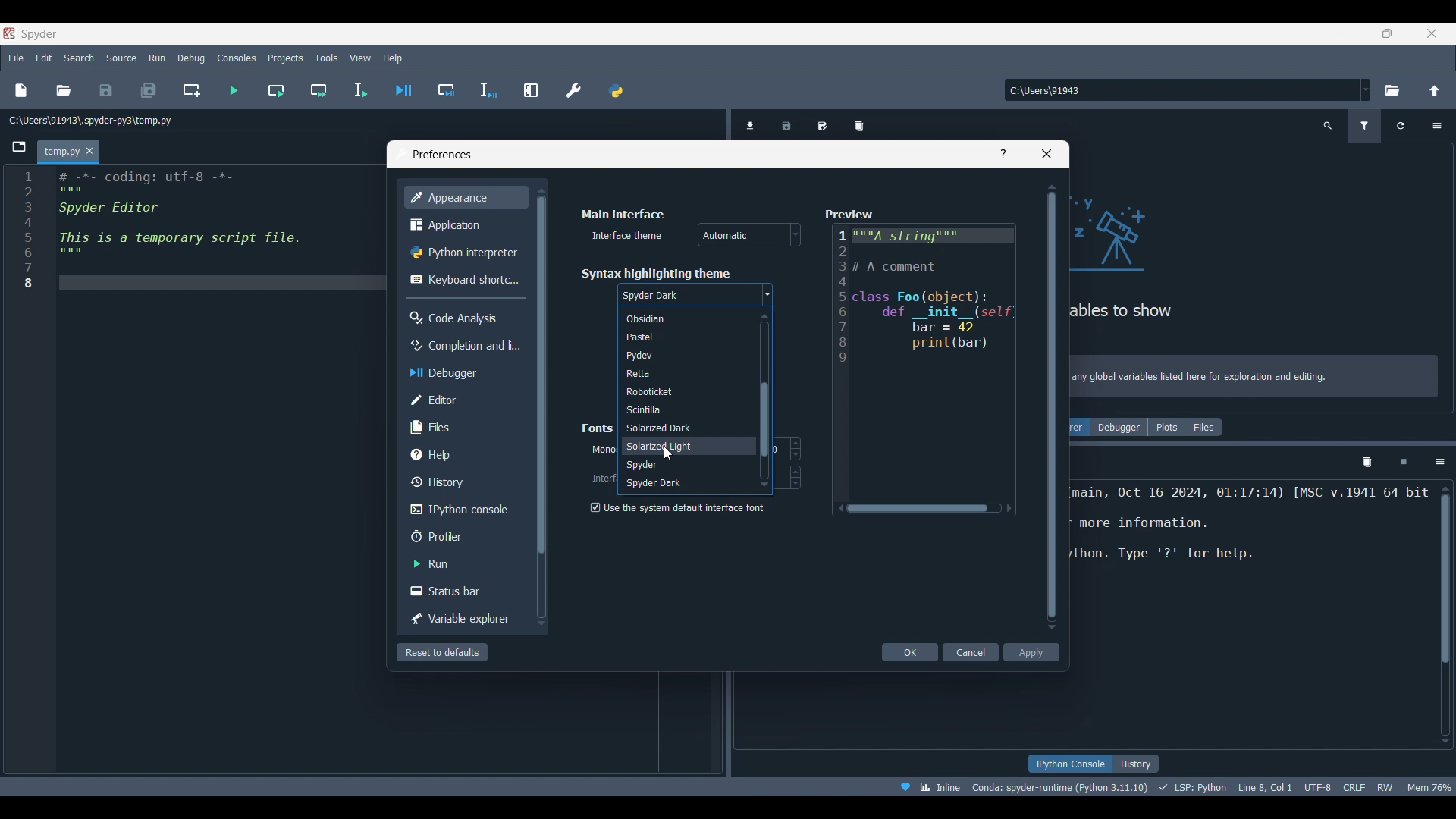  I want to click on Code analysis, so click(463, 318).